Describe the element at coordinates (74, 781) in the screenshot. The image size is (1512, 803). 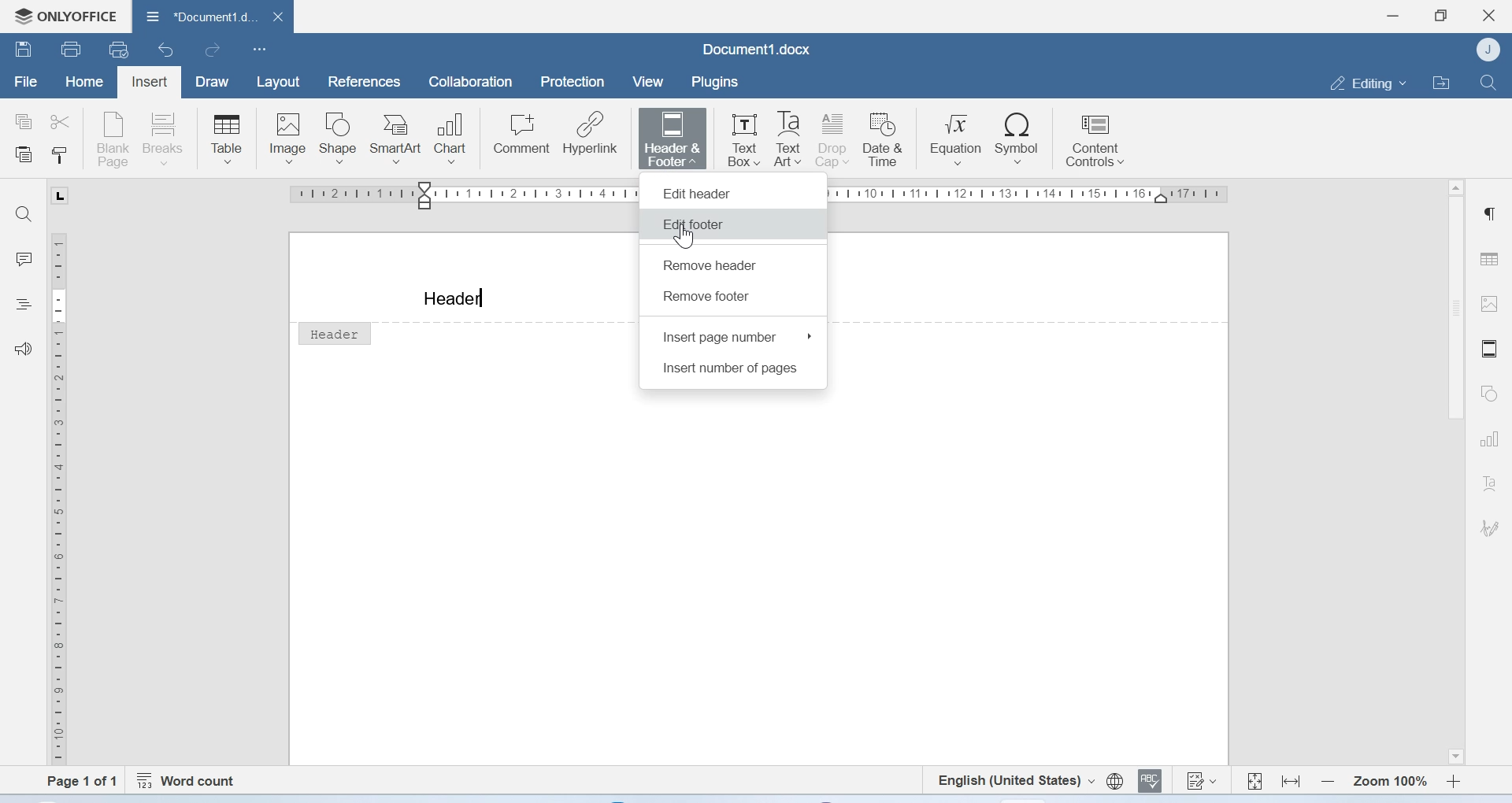
I see `Page 1 of 1` at that location.